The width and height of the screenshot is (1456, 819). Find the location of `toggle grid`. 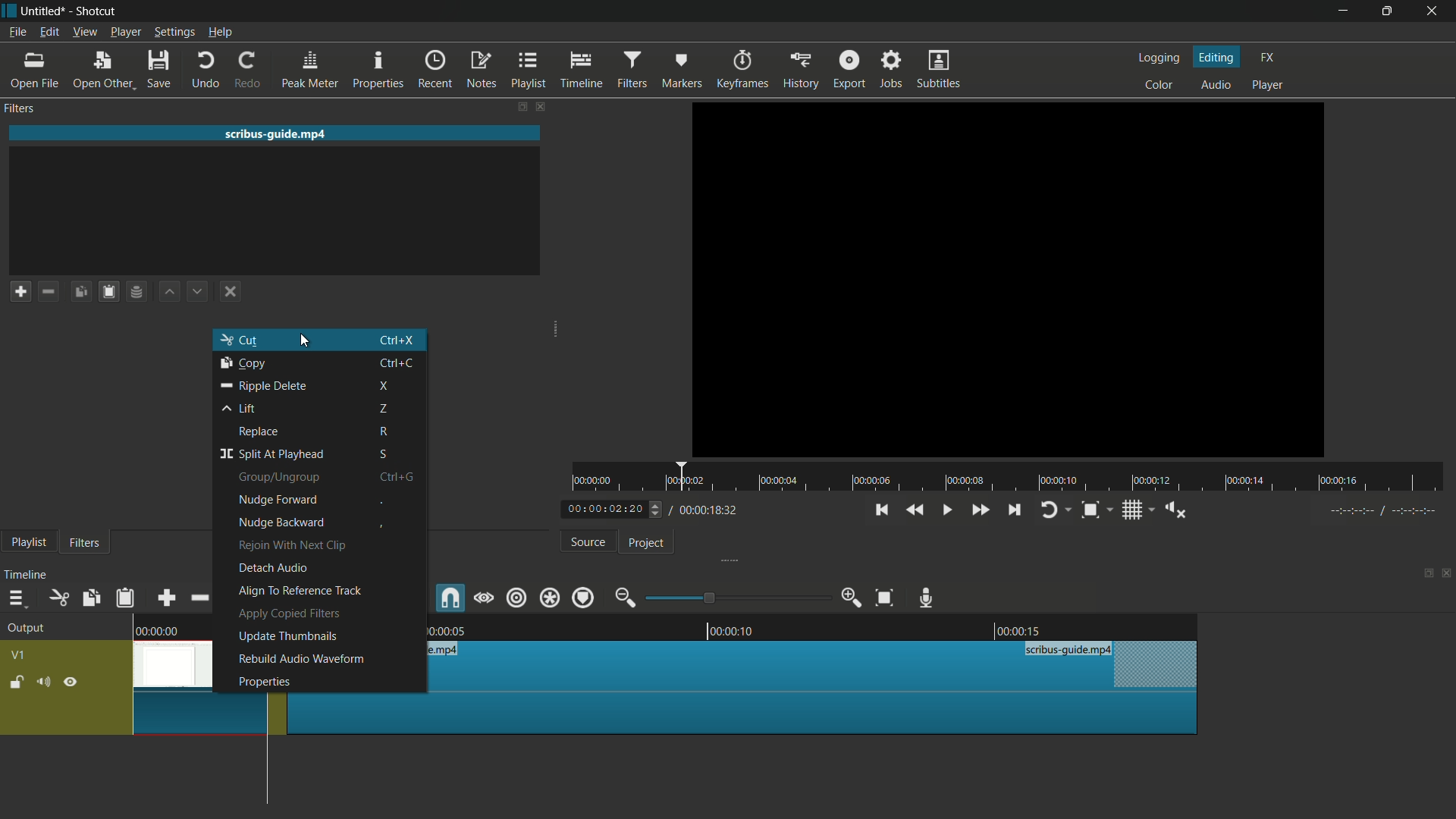

toggle grid is located at coordinates (1134, 510).